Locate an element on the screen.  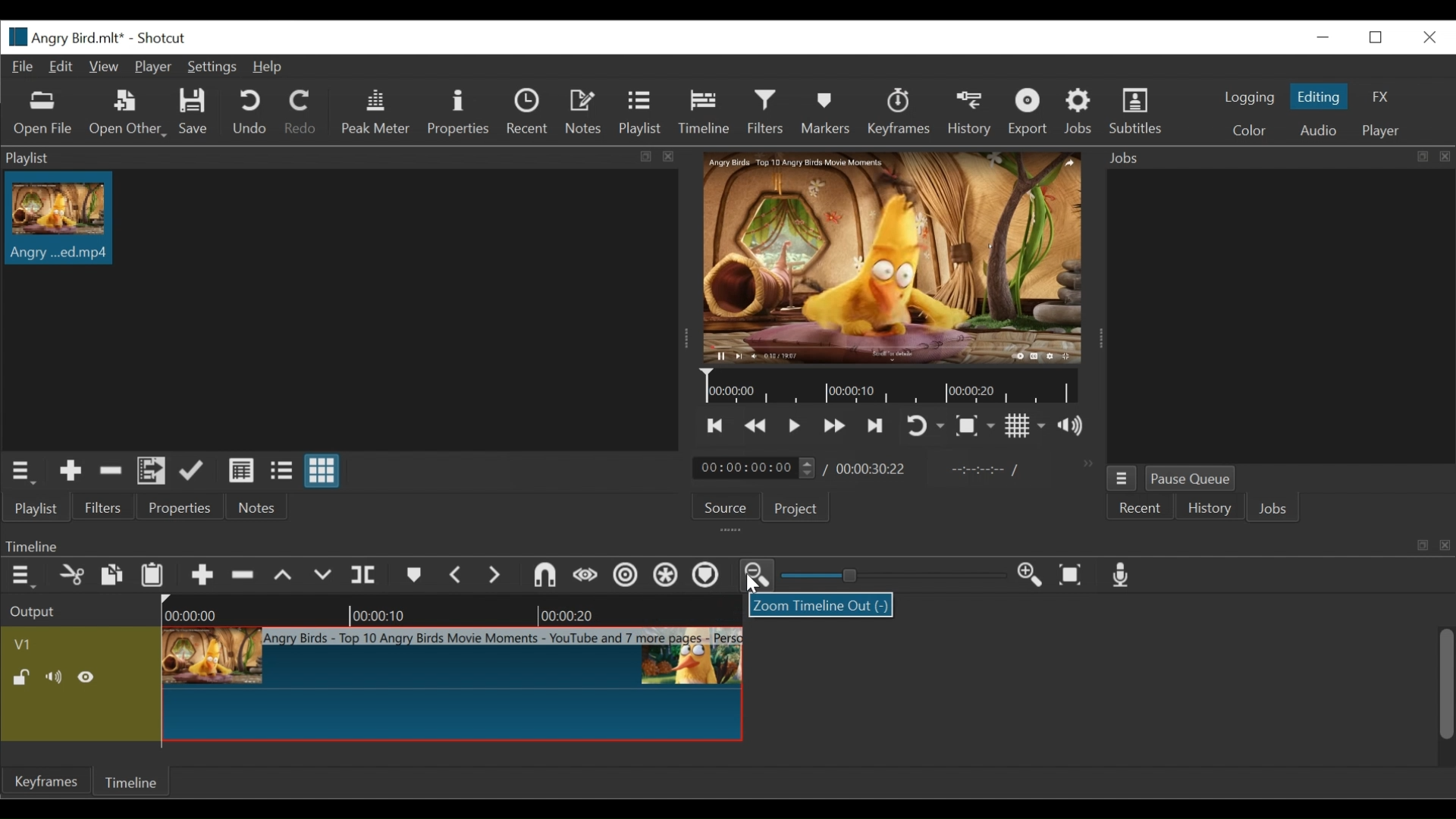
Toggle player on looping is located at coordinates (924, 427).